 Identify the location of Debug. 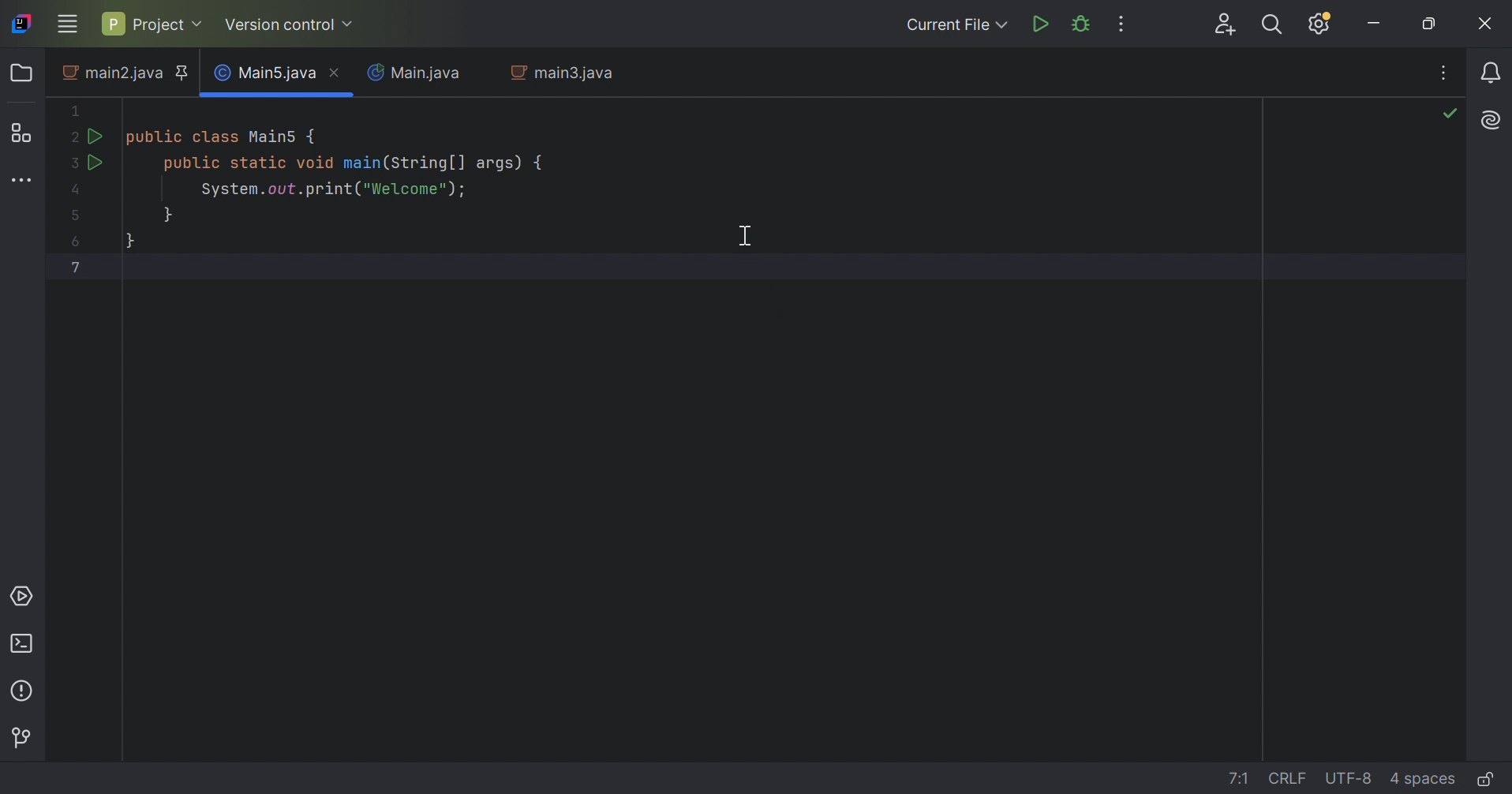
(1080, 24).